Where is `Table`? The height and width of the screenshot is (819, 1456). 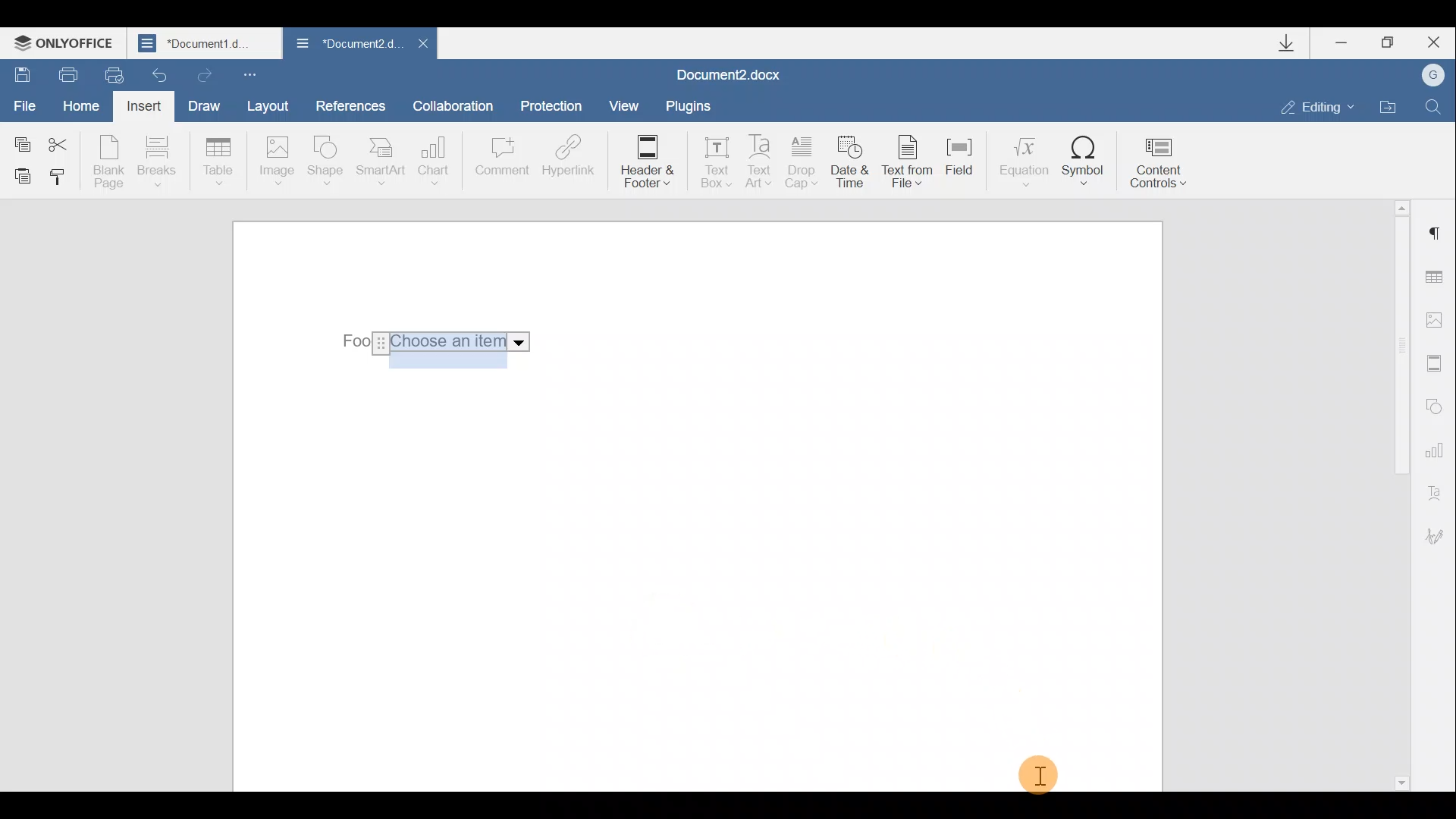
Table is located at coordinates (219, 163).